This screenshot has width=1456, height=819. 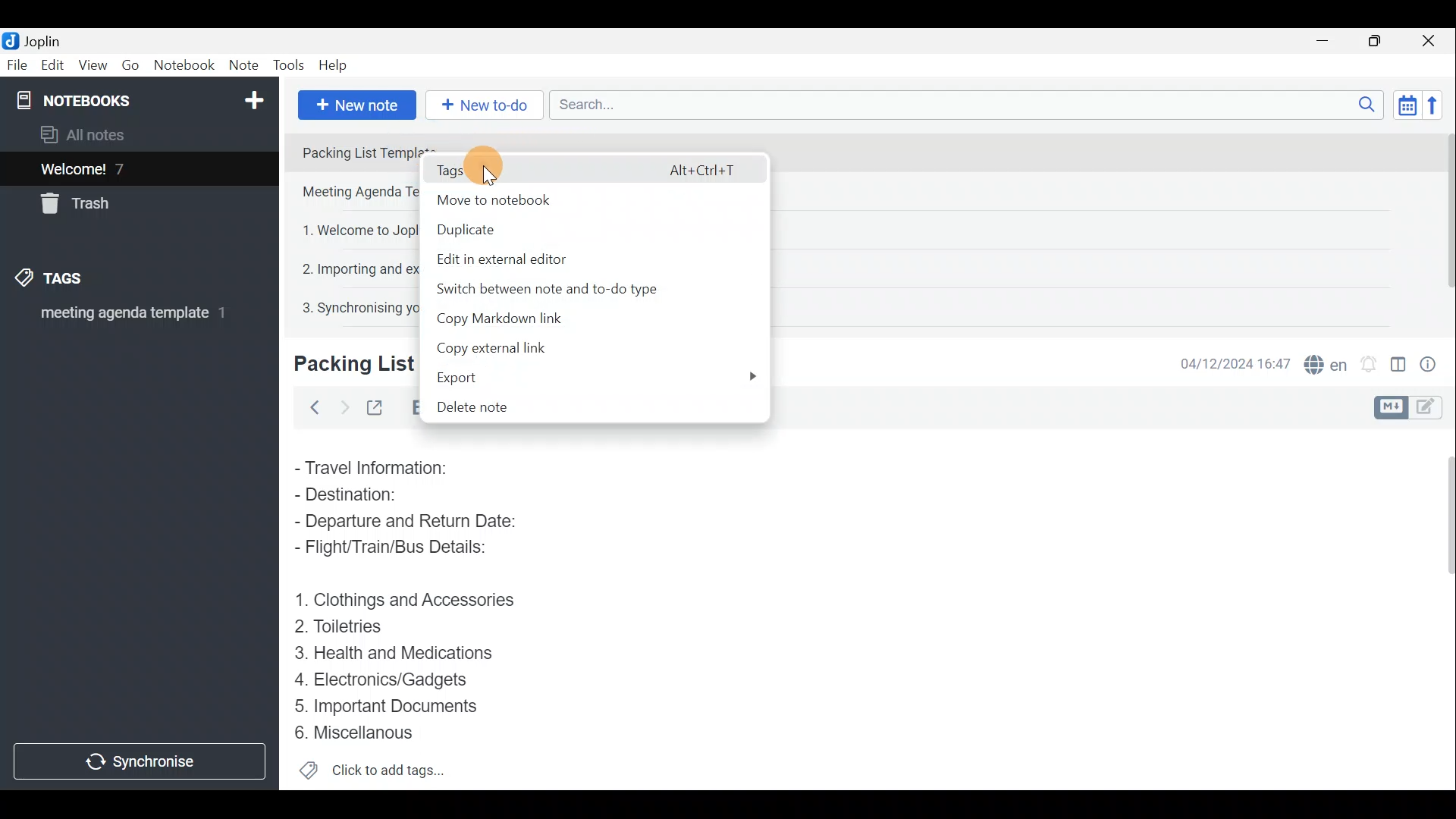 What do you see at coordinates (372, 770) in the screenshot?
I see `Click to add tags` at bounding box center [372, 770].